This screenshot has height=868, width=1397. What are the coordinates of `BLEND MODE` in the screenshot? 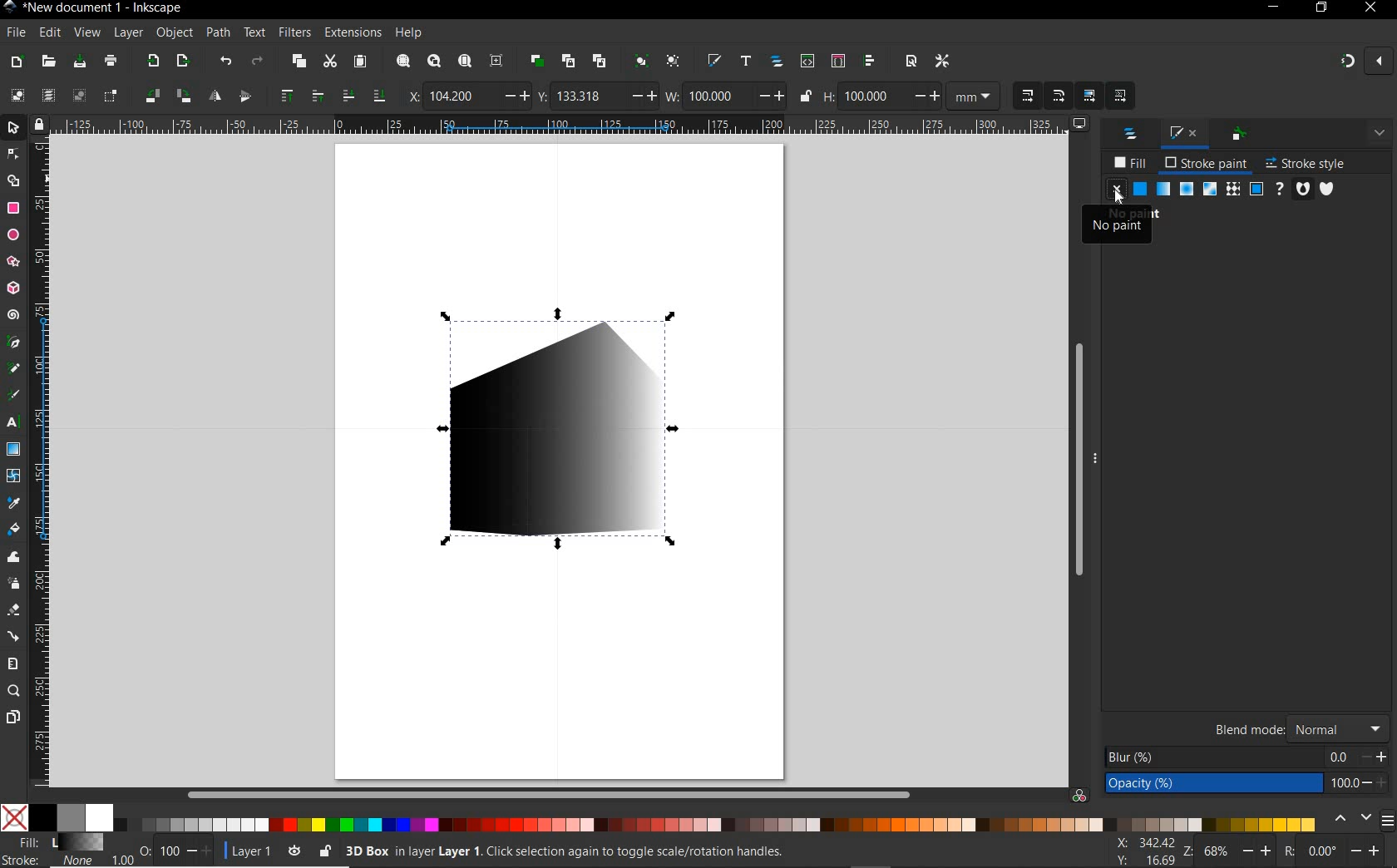 It's located at (1251, 727).